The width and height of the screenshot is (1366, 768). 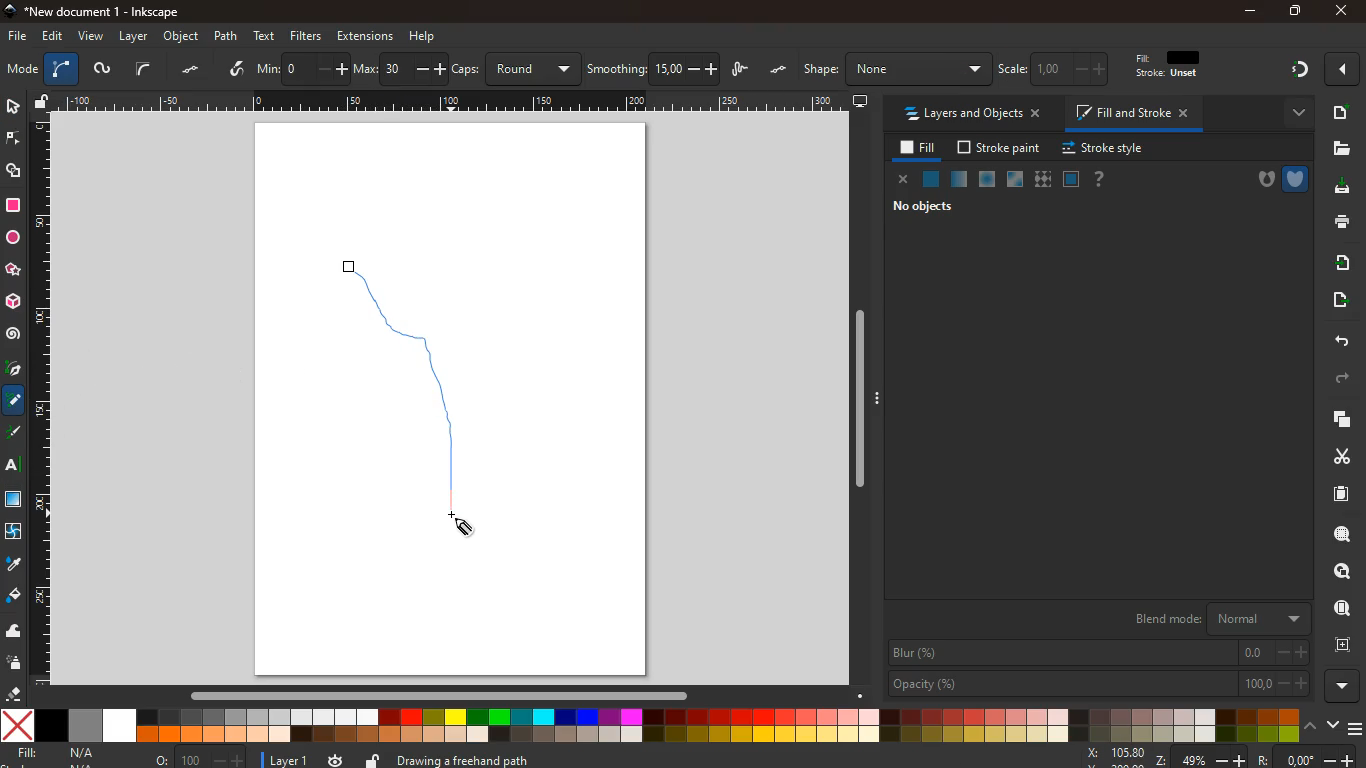 I want to click on receive, so click(x=1337, y=263).